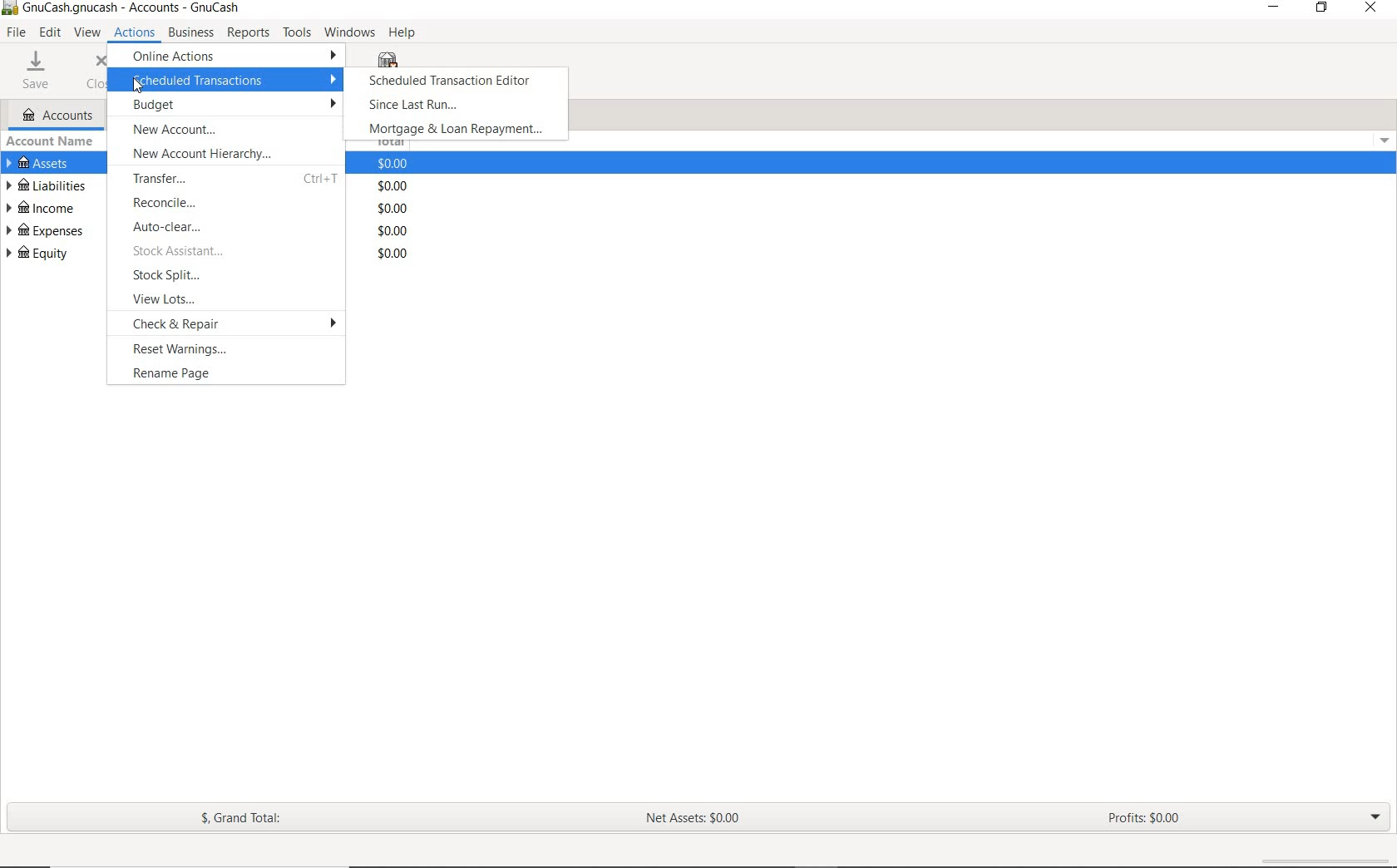 The image size is (1397, 868). Describe the element at coordinates (1145, 820) in the screenshot. I see `PROFITS` at that location.